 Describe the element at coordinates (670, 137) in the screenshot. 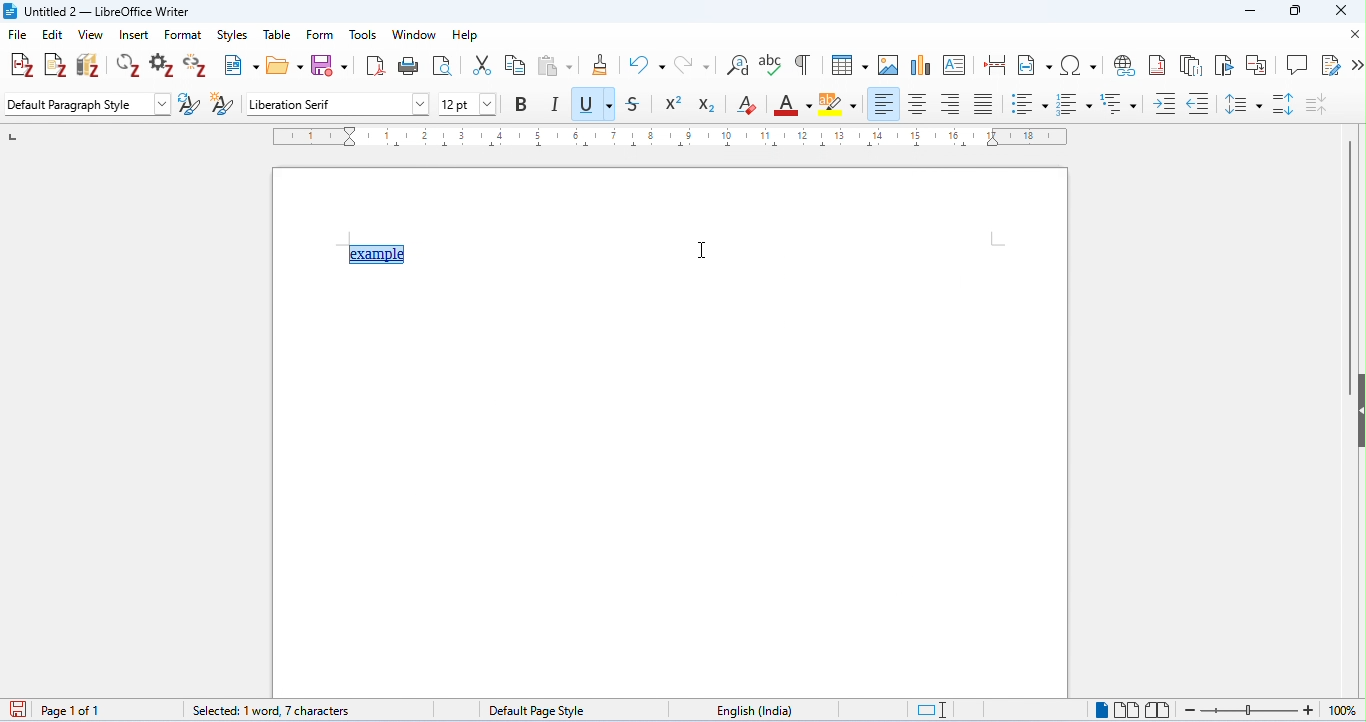

I see `ruler` at that location.